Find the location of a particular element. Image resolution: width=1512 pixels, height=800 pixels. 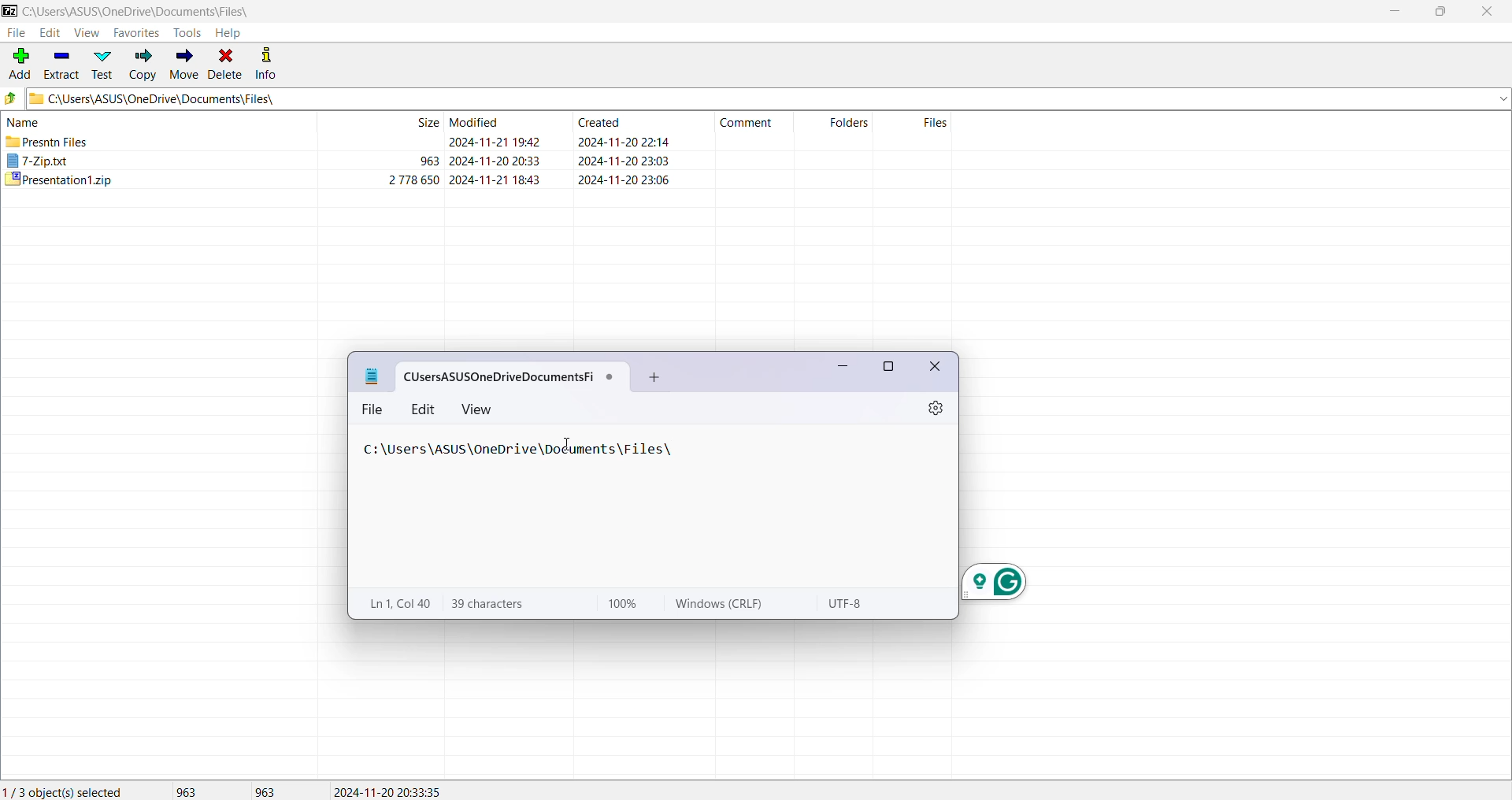

Current Selection is located at coordinates (65, 791).